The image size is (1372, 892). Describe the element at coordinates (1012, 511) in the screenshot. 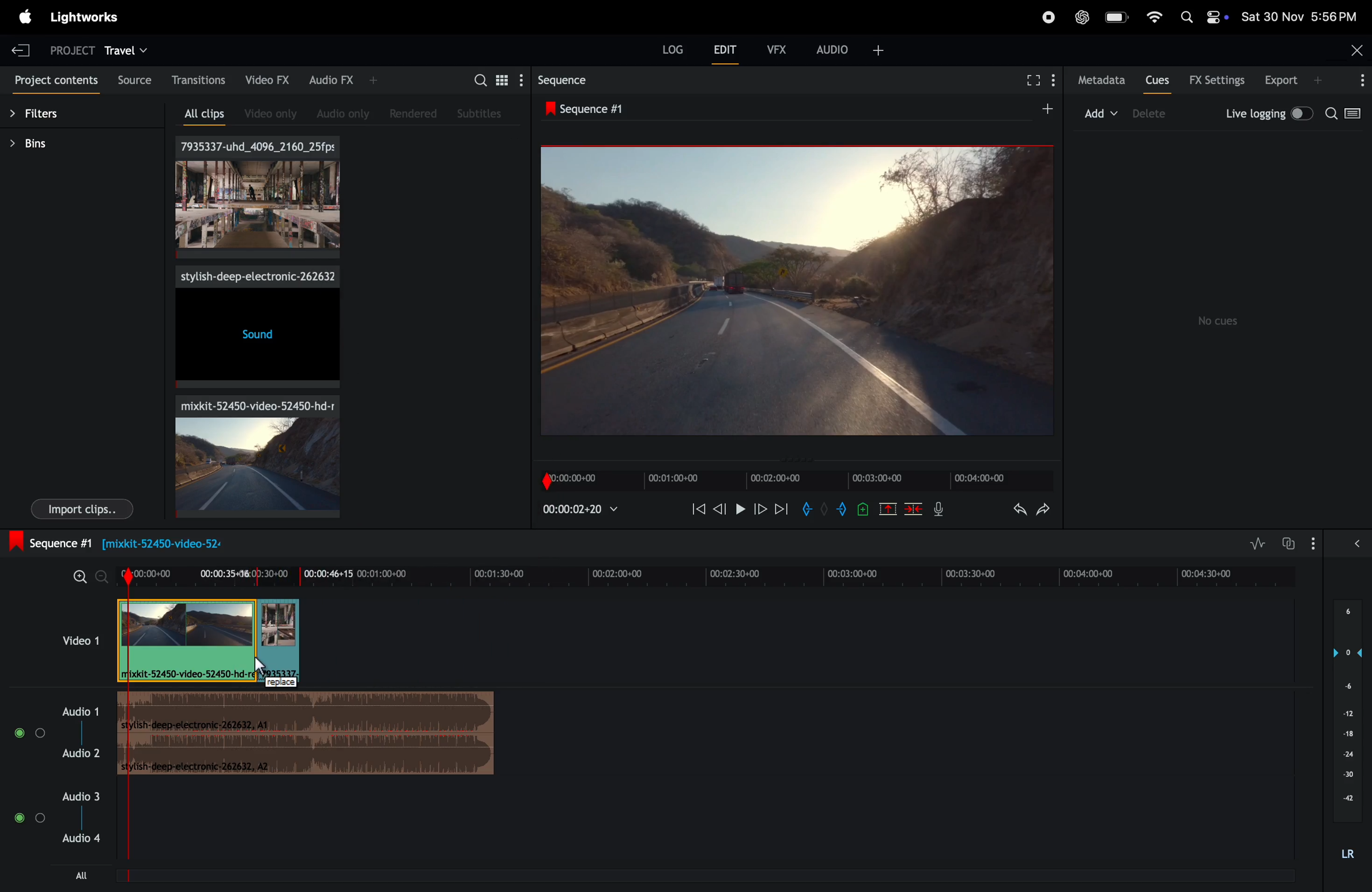

I see `undo` at that location.